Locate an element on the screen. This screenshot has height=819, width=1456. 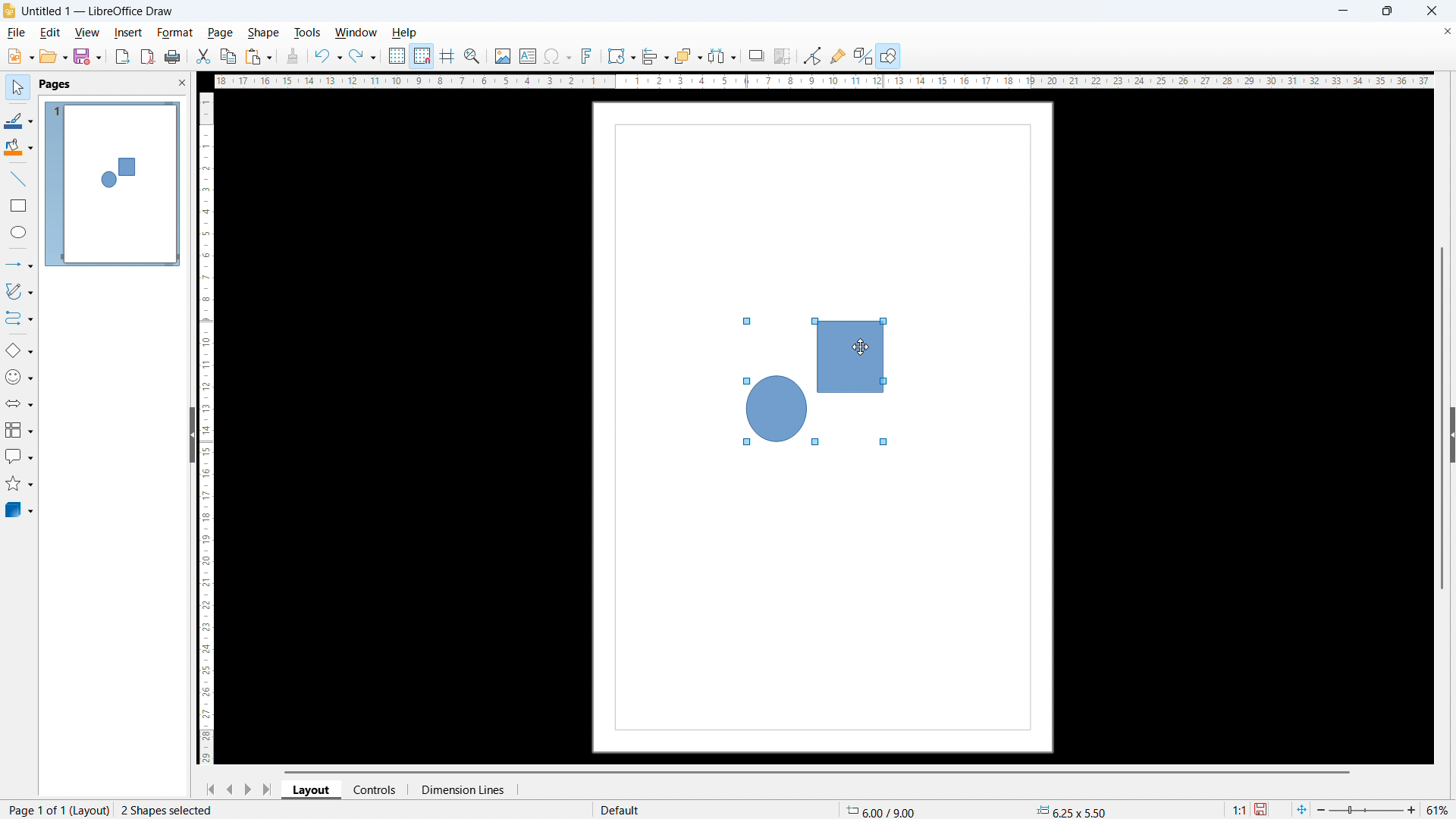
zoom slider is located at coordinates (1369, 810).